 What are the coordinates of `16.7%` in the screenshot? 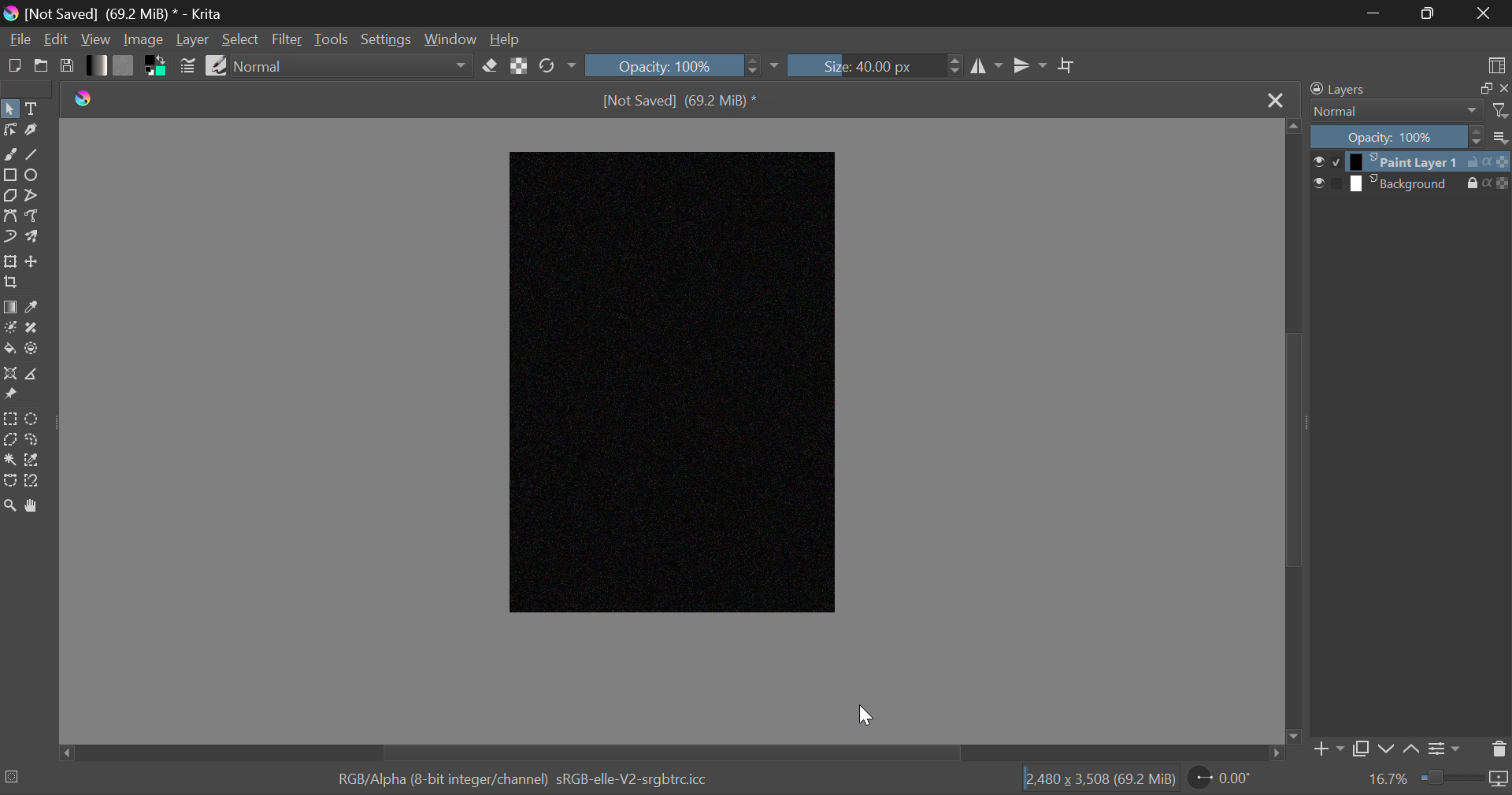 It's located at (1387, 782).